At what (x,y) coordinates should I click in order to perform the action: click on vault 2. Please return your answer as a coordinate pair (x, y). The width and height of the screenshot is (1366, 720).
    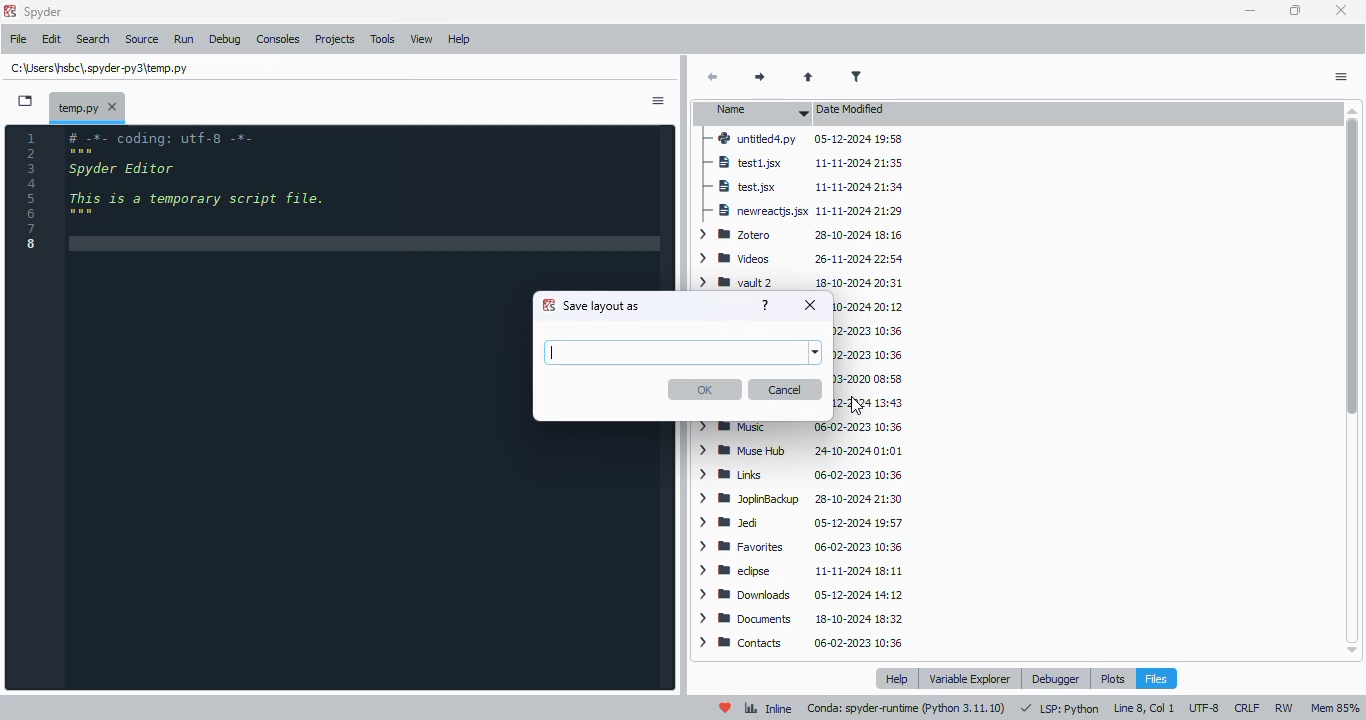
    Looking at the image, I should click on (801, 281).